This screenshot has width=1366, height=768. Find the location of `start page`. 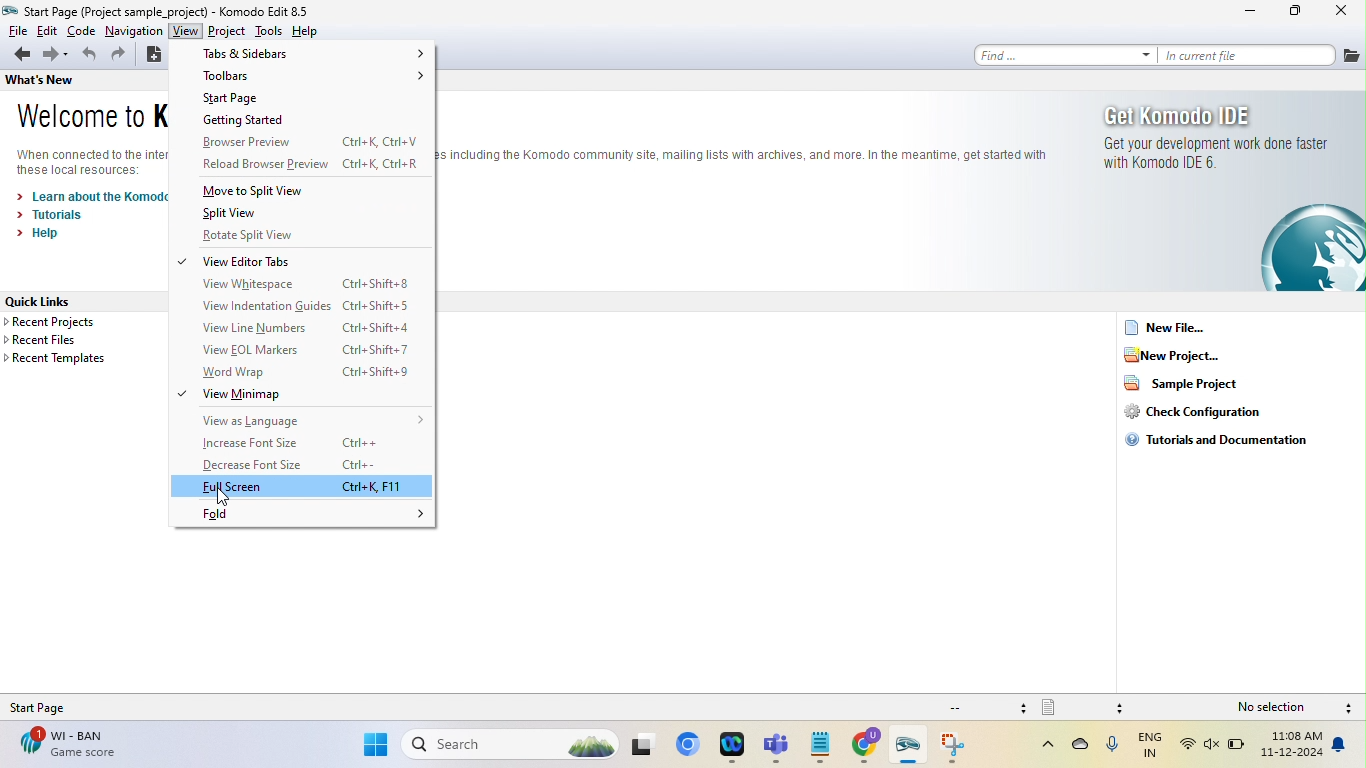

start page is located at coordinates (52, 707).